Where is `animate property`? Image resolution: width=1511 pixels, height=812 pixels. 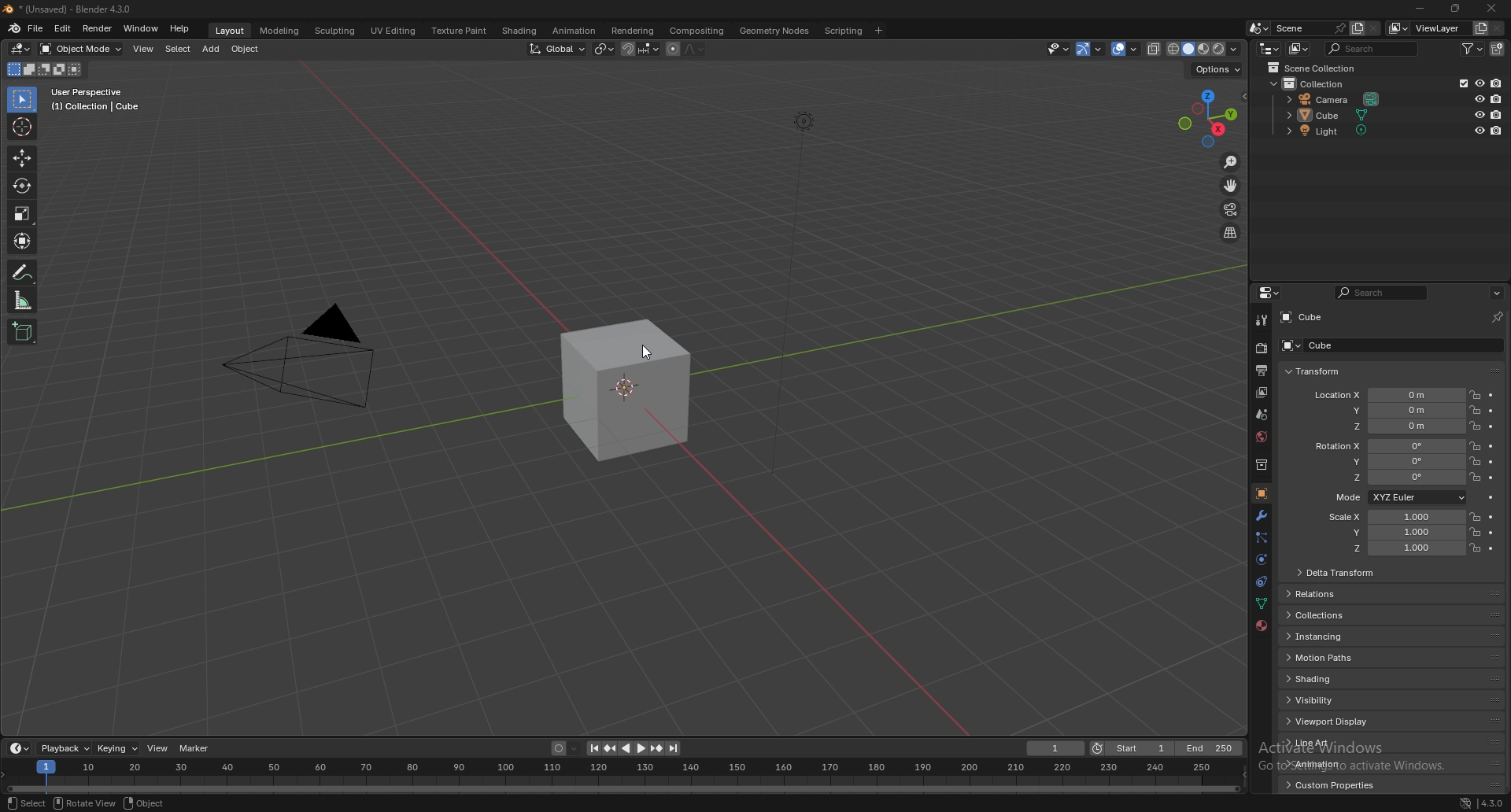 animate property is located at coordinates (1492, 409).